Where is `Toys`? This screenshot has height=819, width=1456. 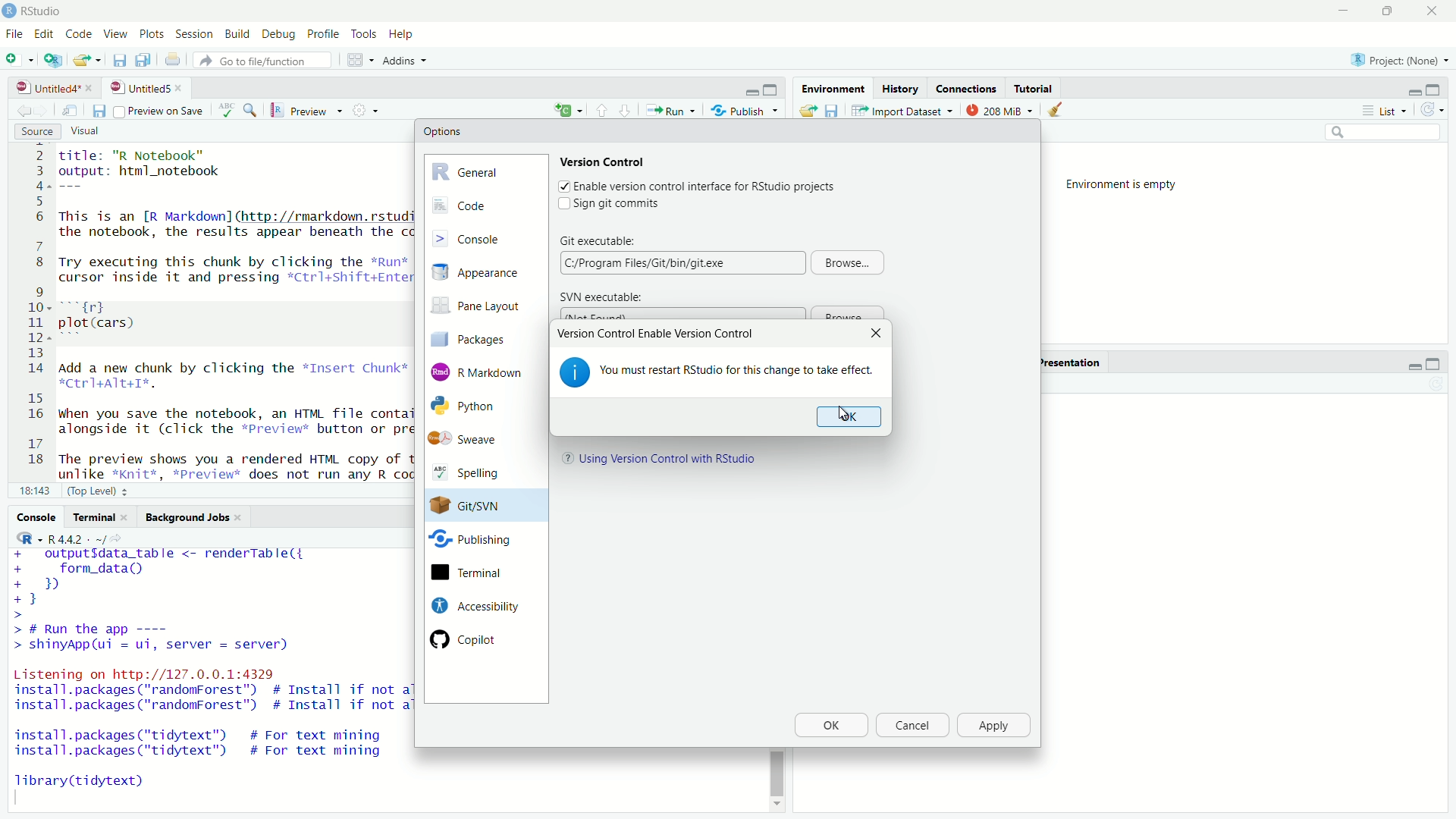 Toys is located at coordinates (363, 35).